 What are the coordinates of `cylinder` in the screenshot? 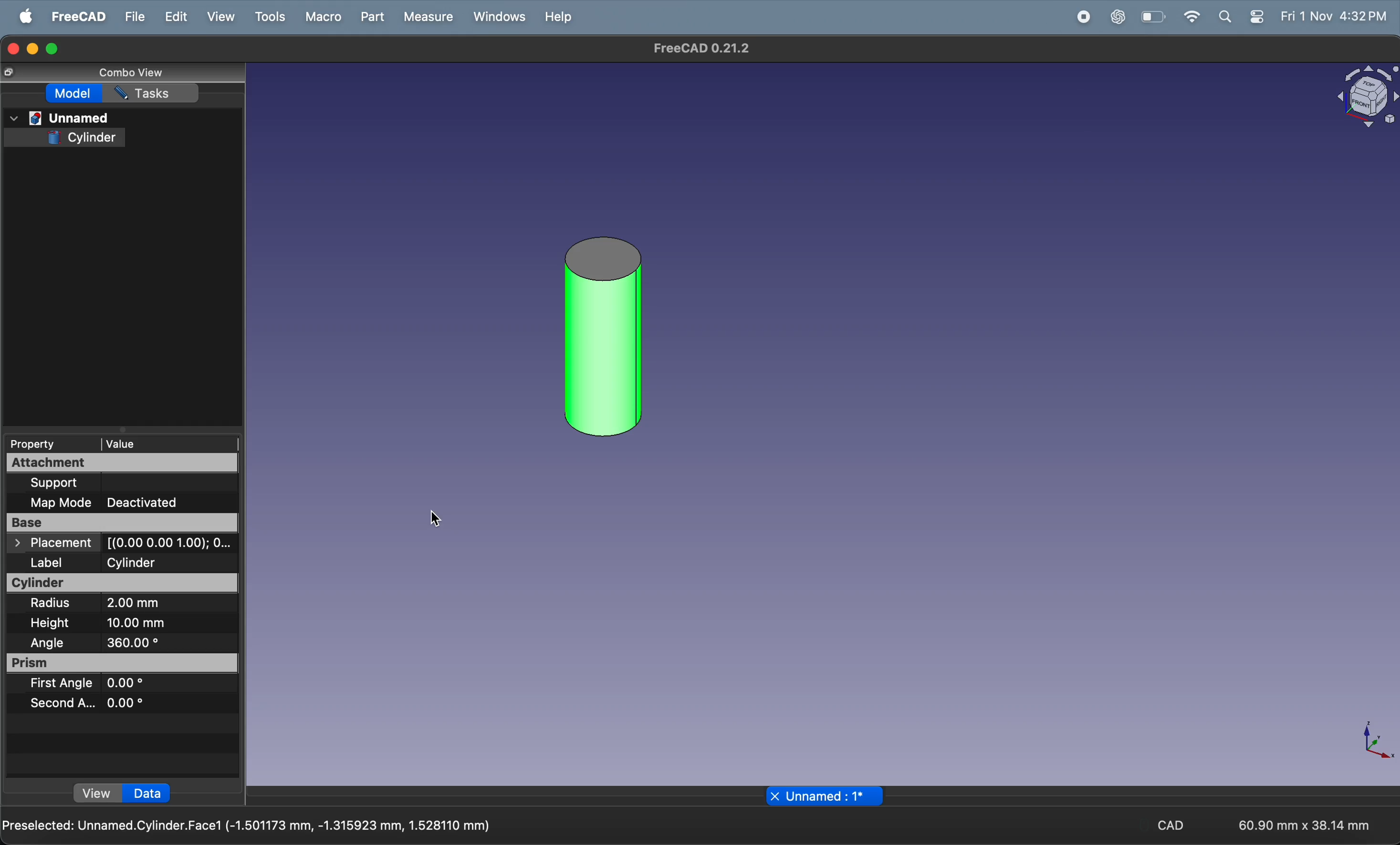 It's located at (124, 583).